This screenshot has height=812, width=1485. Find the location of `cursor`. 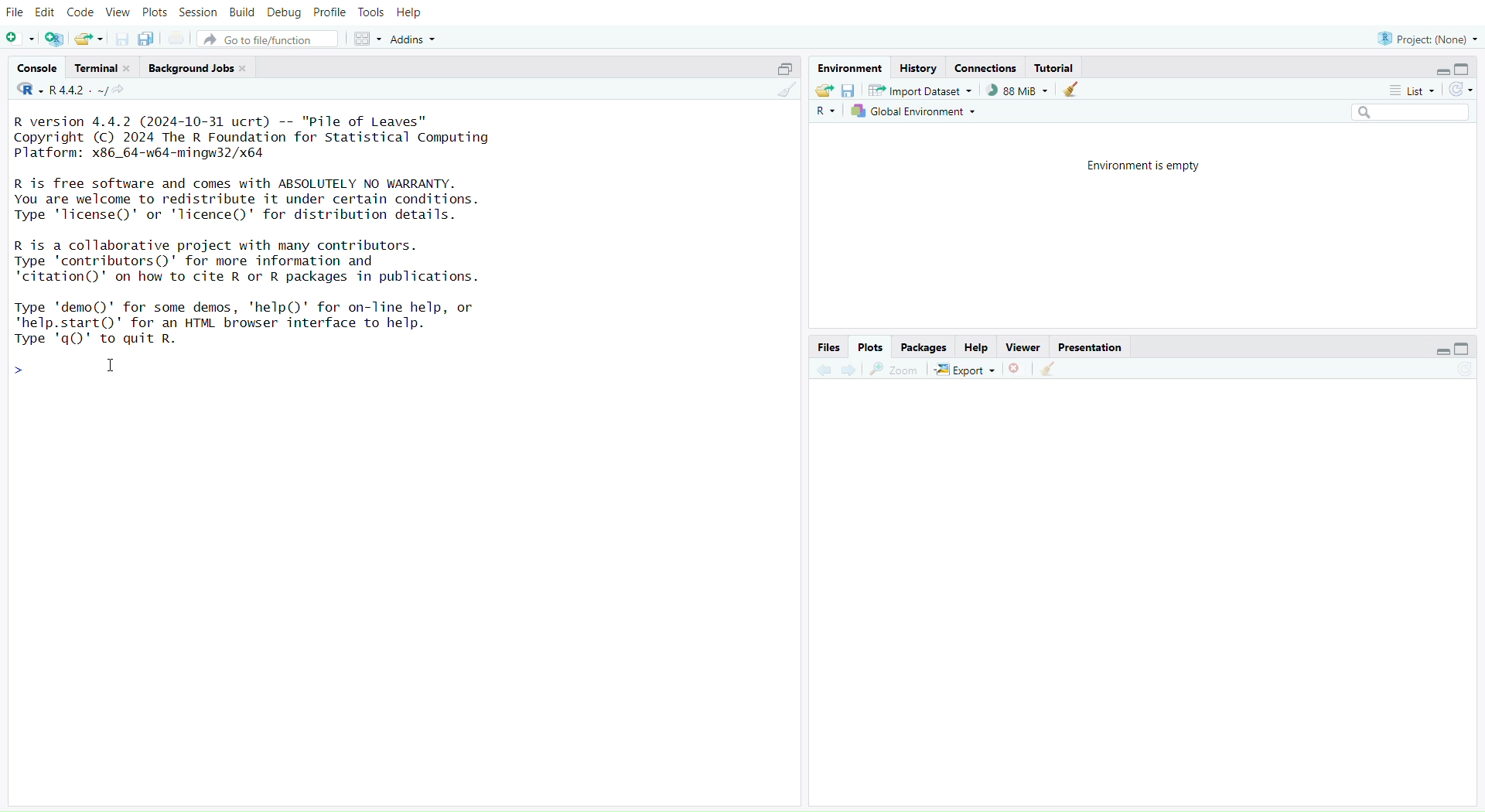

cursor is located at coordinates (108, 367).